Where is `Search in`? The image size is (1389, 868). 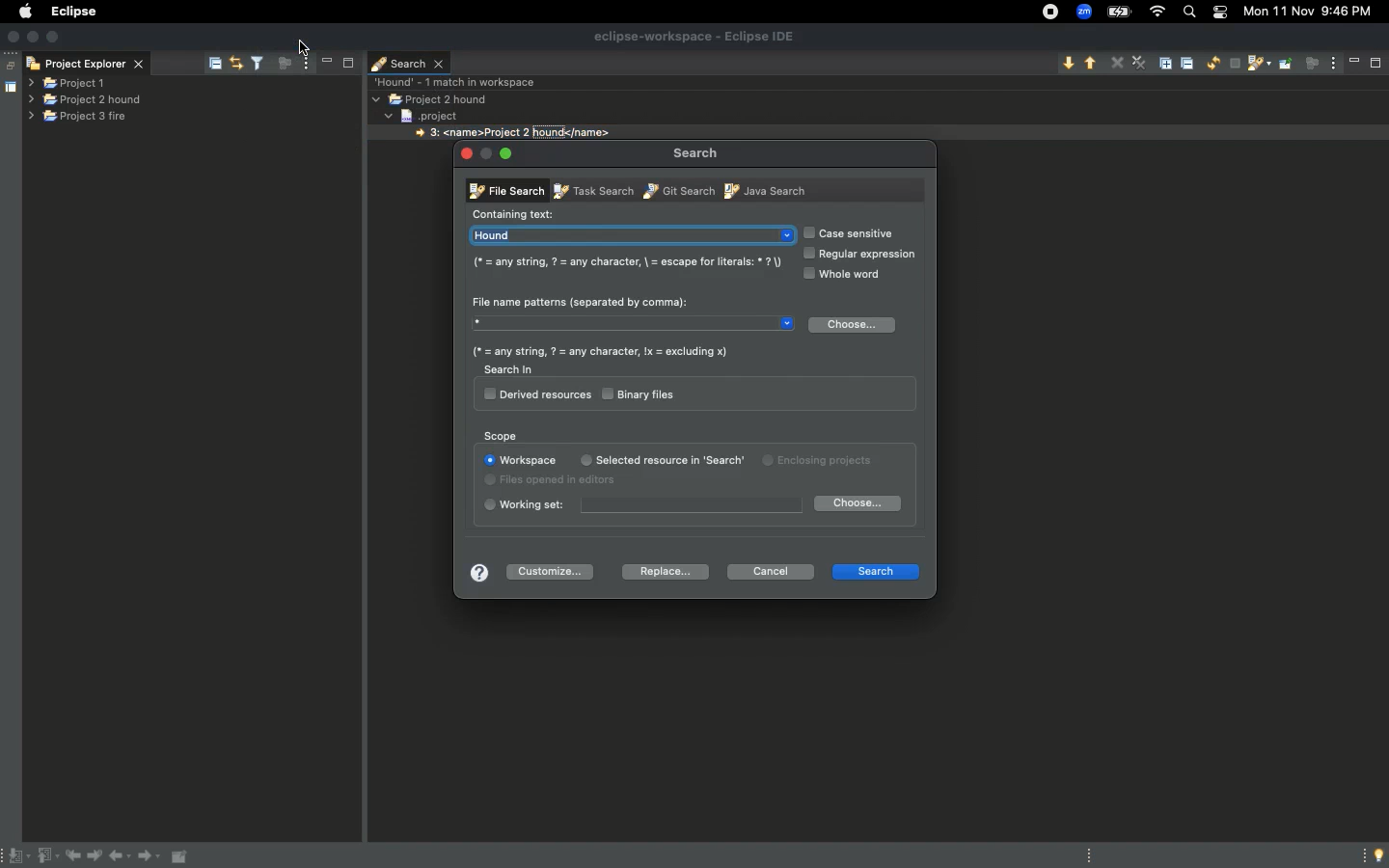
Search in is located at coordinates (508, 369).